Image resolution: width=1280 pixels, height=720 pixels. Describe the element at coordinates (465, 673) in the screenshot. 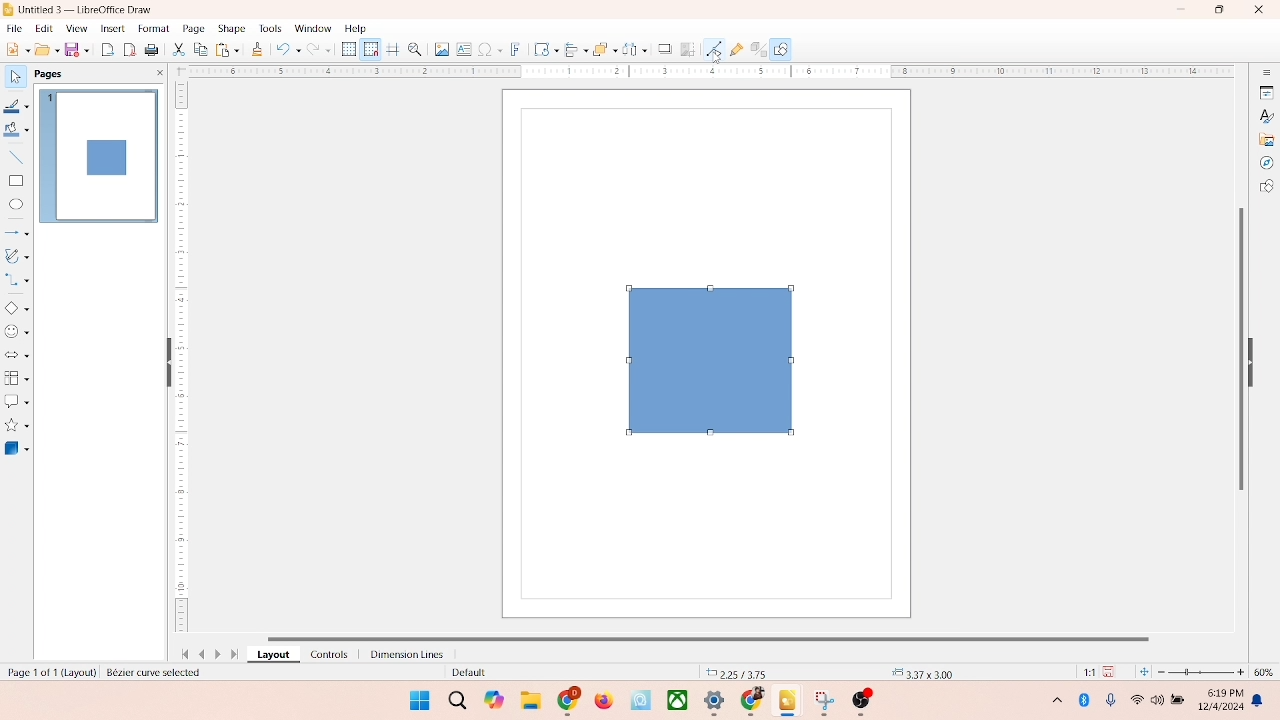

I see `default` at that location.